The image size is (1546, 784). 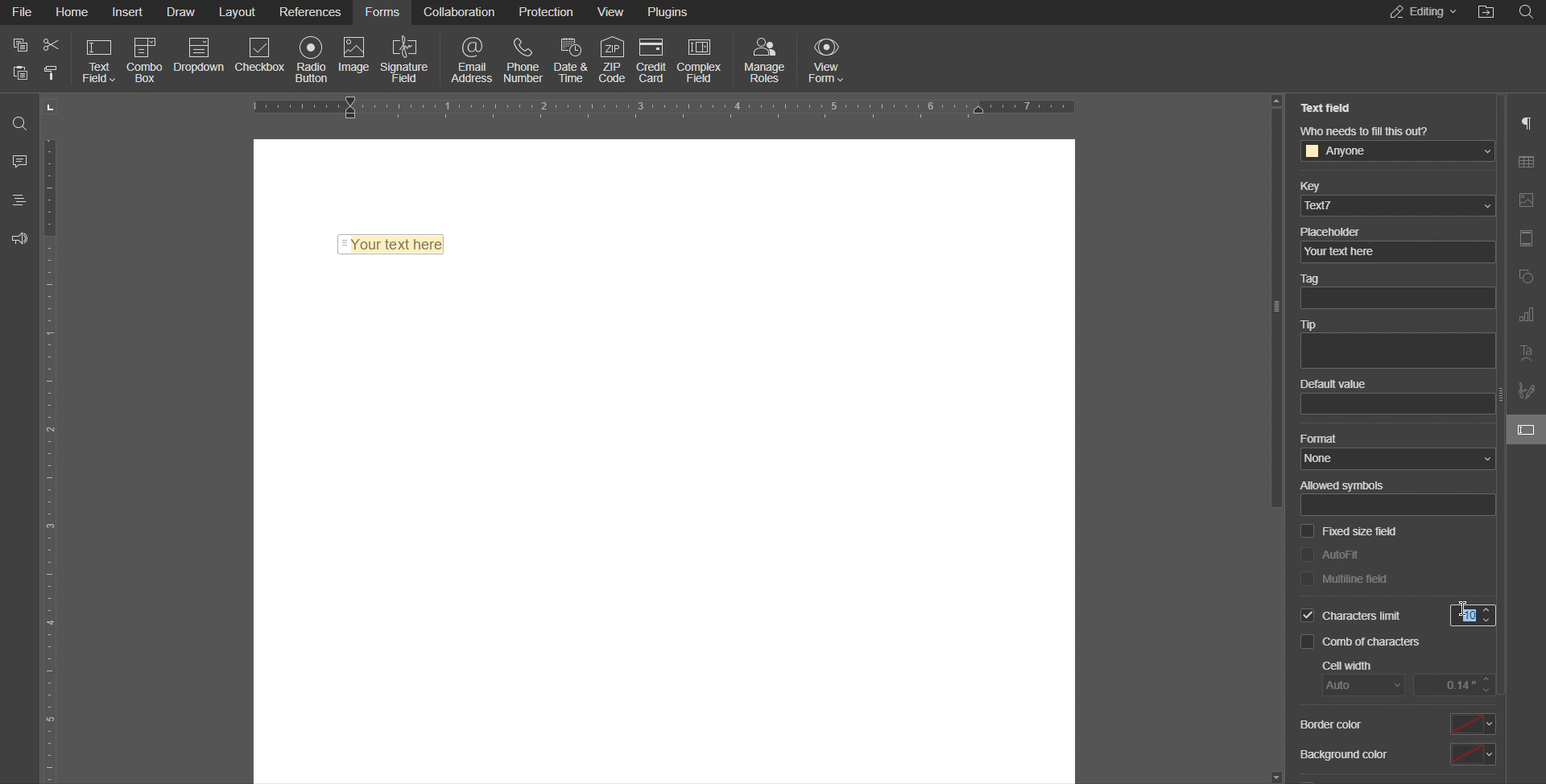 What do you see at coordinates (1525, 391) in the screenshot?
I see `Signature` at bounding box center [1525, 391].